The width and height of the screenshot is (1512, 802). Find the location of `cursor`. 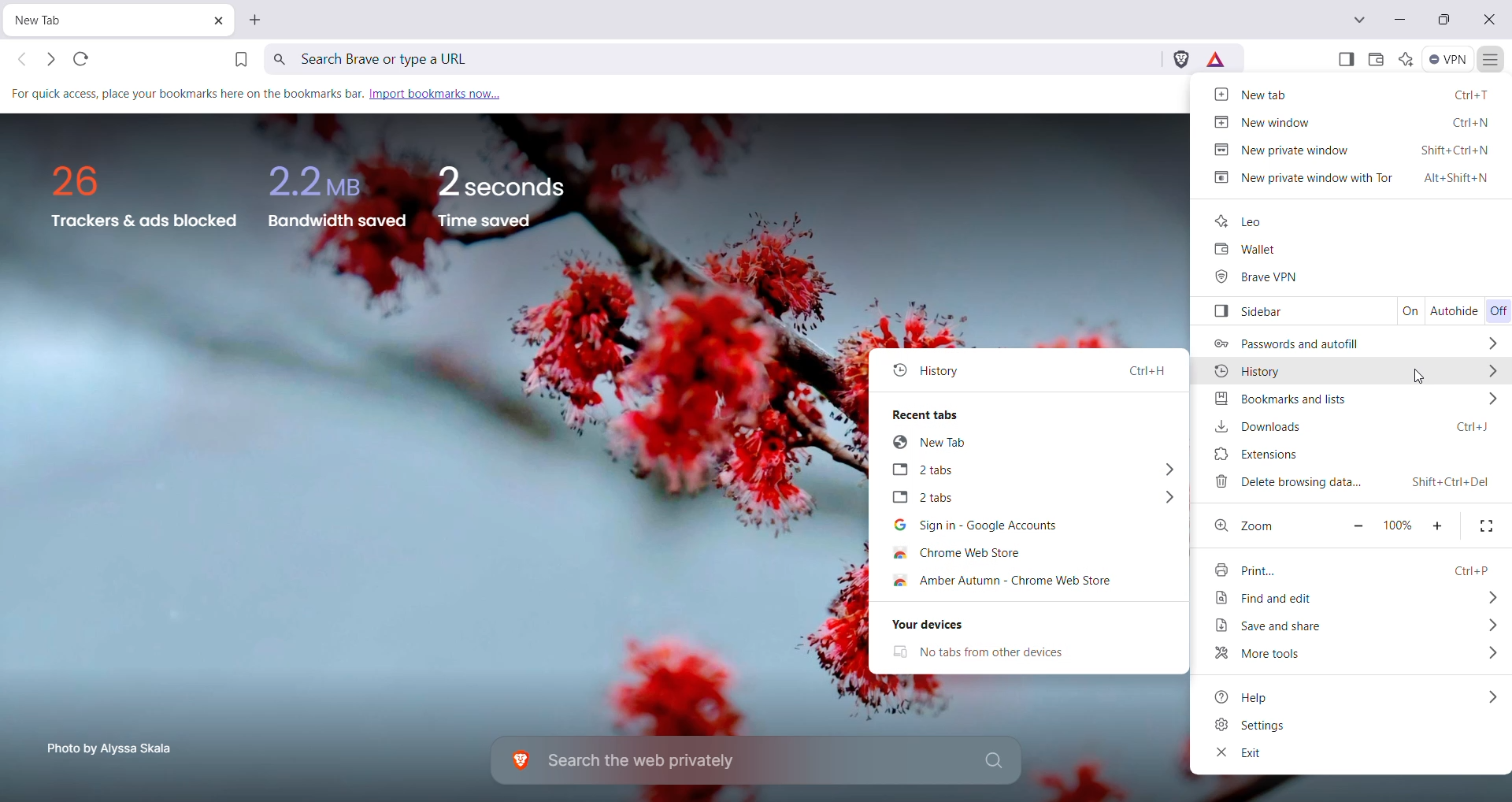

cursor is located at coordinates (1416, 376).